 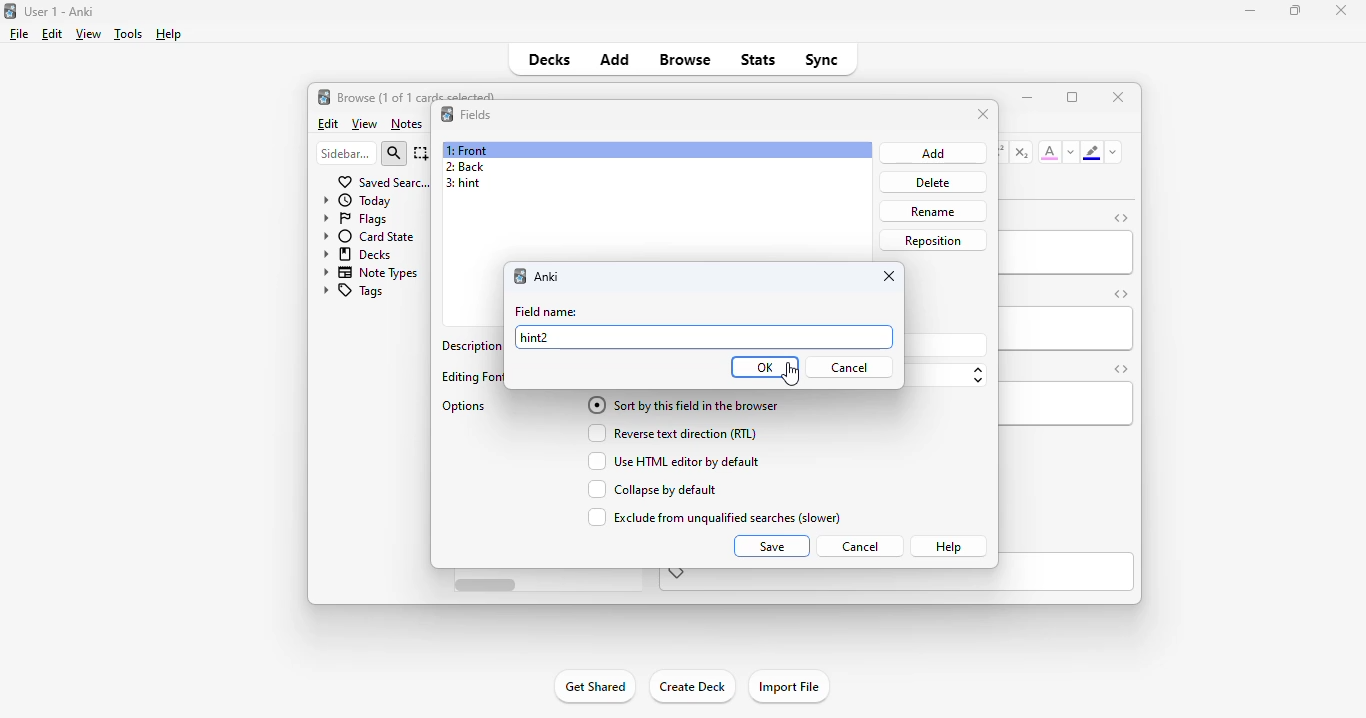 I want to click on help, so click(x=948, y=546).